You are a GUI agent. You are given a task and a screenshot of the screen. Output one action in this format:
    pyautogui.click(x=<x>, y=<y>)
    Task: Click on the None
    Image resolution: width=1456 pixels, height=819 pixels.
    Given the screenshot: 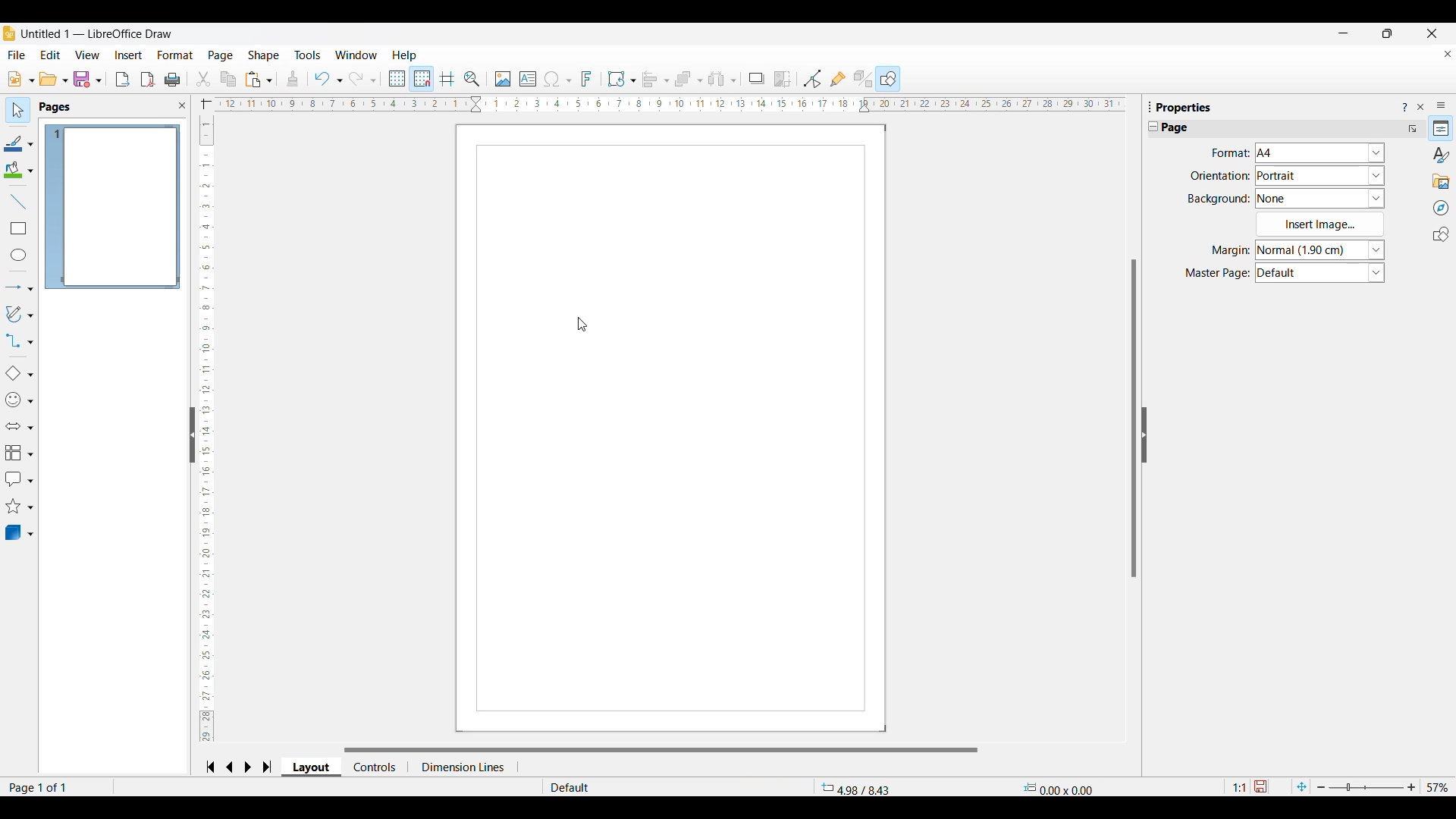 What is the action you would take?
    pyautogui.click(x=1330, y=199)
    